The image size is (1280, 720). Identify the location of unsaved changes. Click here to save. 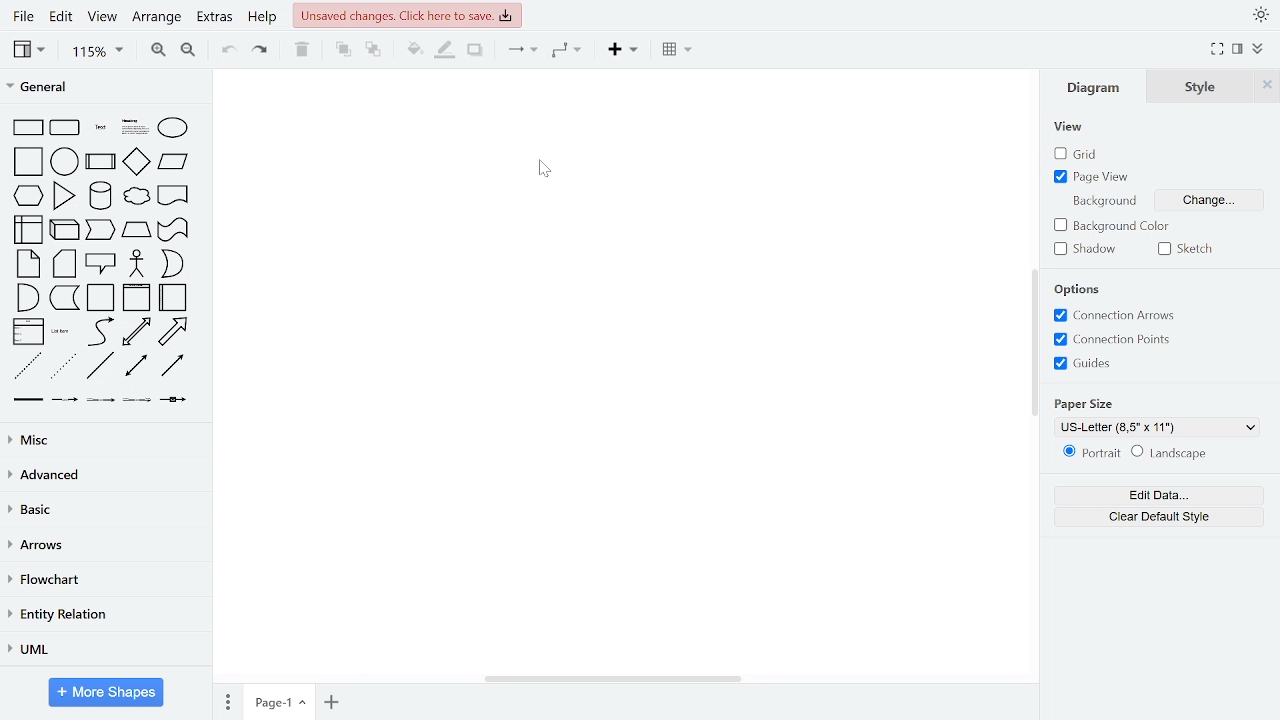
(406, 14).